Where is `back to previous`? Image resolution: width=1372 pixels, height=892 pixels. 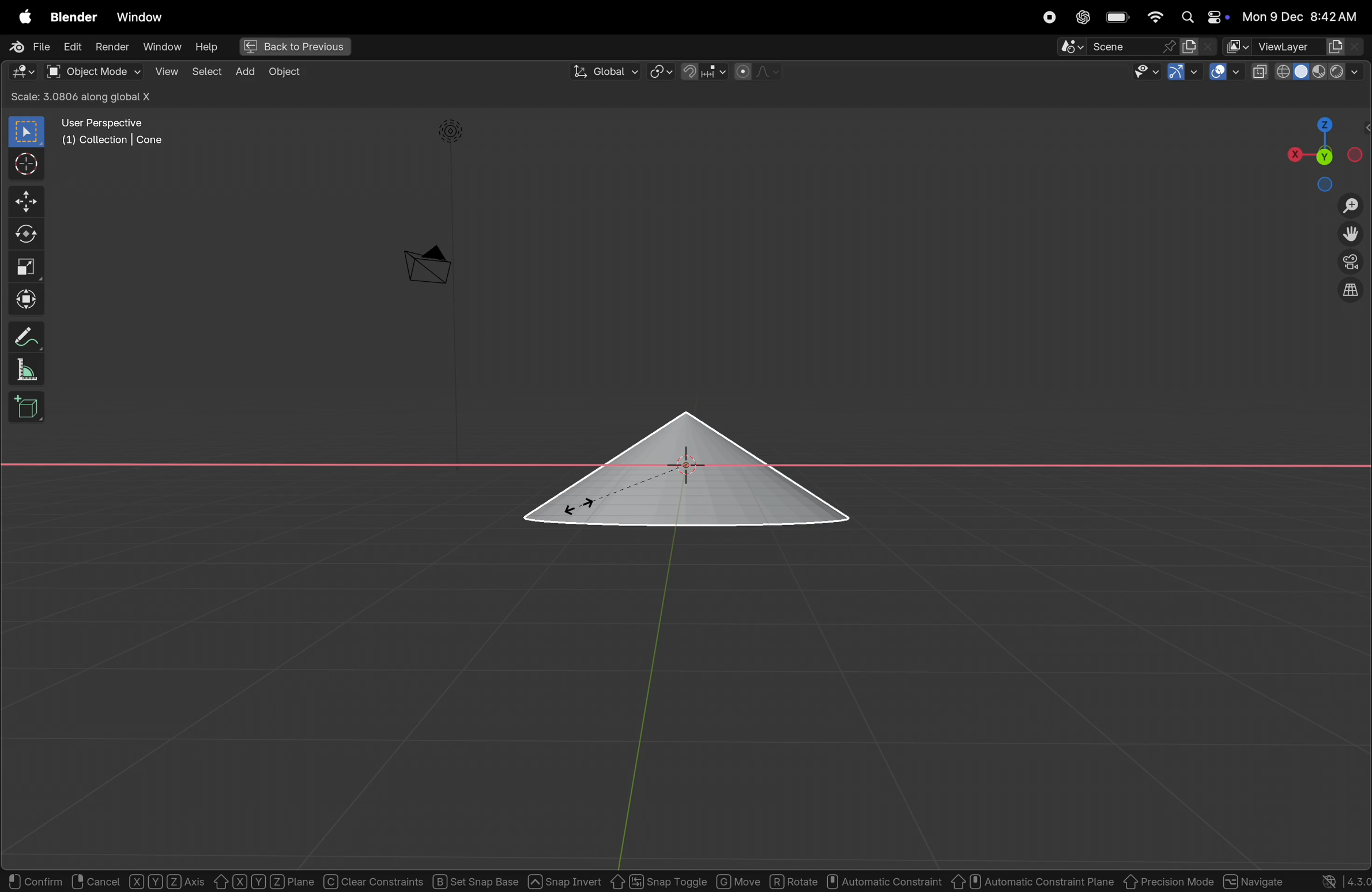 back to previous is located at coordinates (296, 47).